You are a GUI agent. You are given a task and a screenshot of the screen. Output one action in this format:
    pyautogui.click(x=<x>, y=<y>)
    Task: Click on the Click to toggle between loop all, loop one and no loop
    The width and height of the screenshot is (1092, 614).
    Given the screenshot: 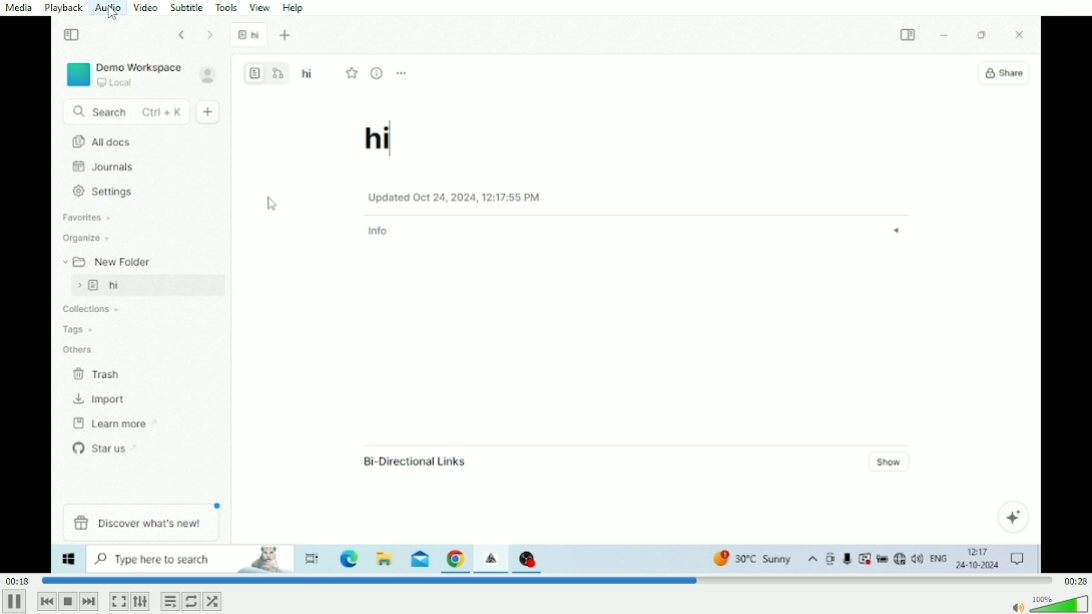 What is the action you would take?
    pyautogui.click(x=191, y=601)
    